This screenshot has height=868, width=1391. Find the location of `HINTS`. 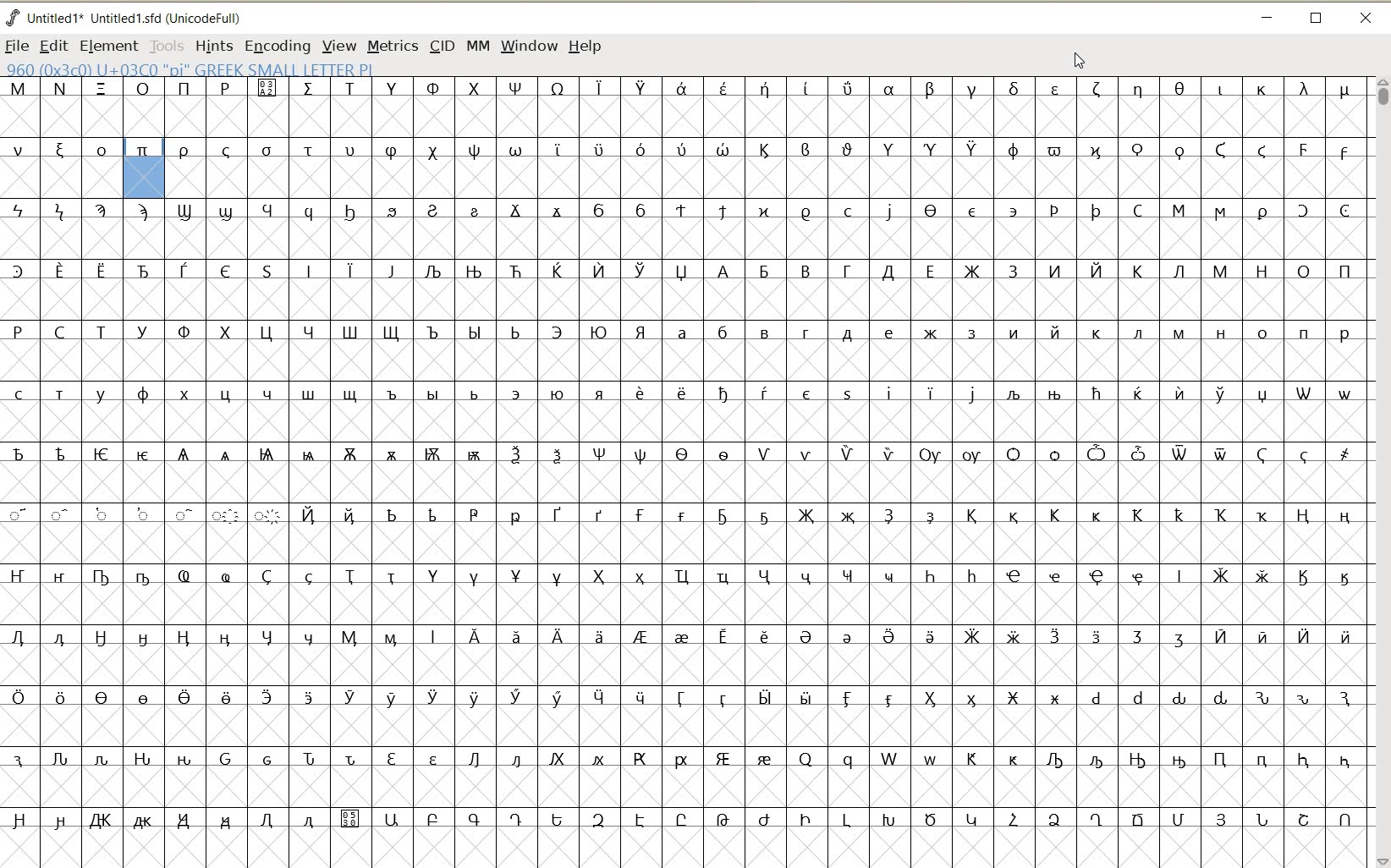

HINTS is located at coordinates (212, 47).